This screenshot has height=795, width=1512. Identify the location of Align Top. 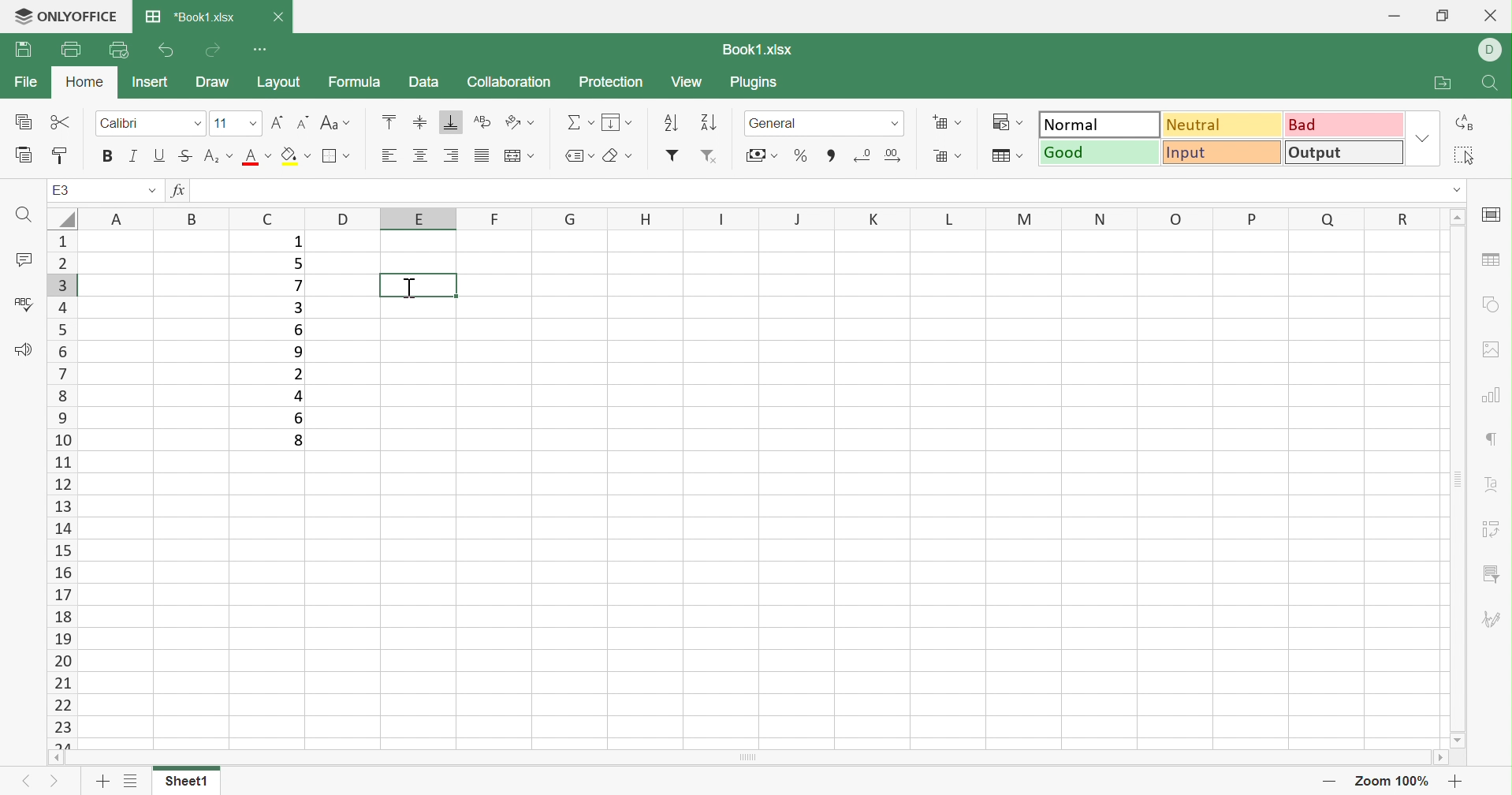
(389, 123).